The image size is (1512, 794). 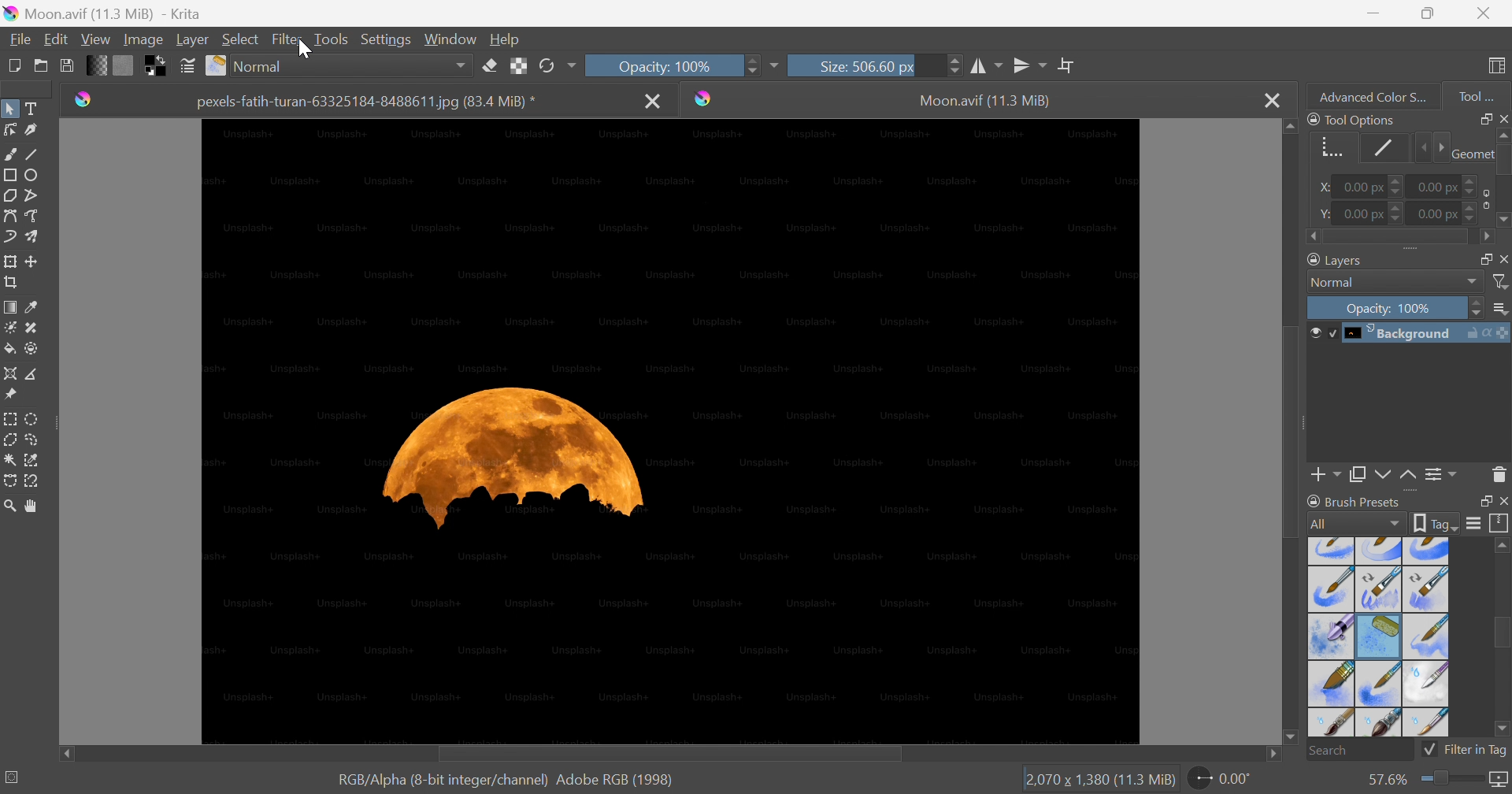 I want to click on Image, so click(x=142, y=40).